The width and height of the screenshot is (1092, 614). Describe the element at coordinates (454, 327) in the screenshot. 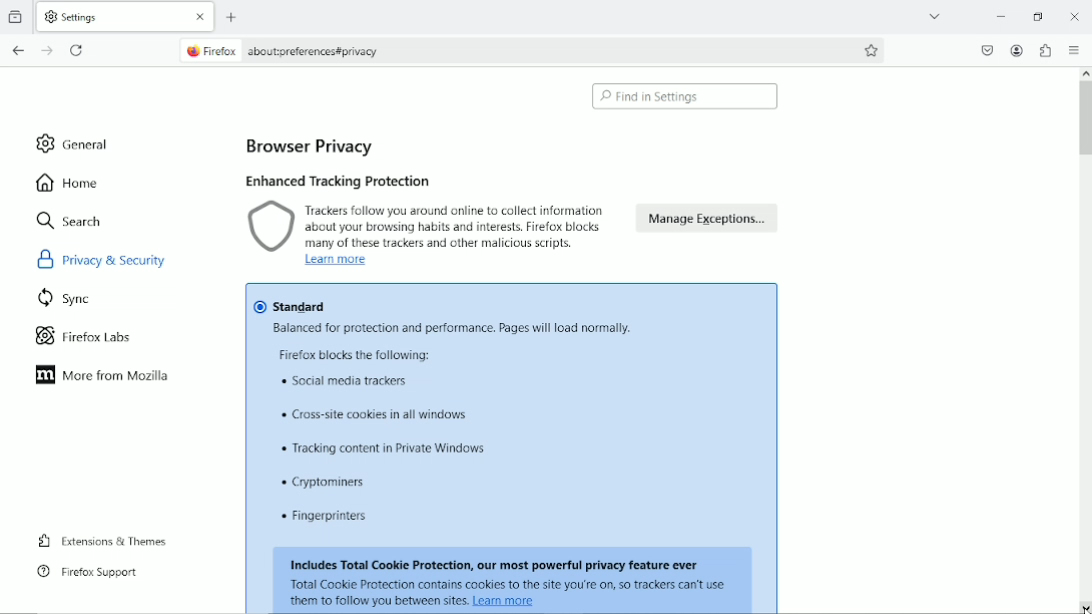

I see `text` at that location.